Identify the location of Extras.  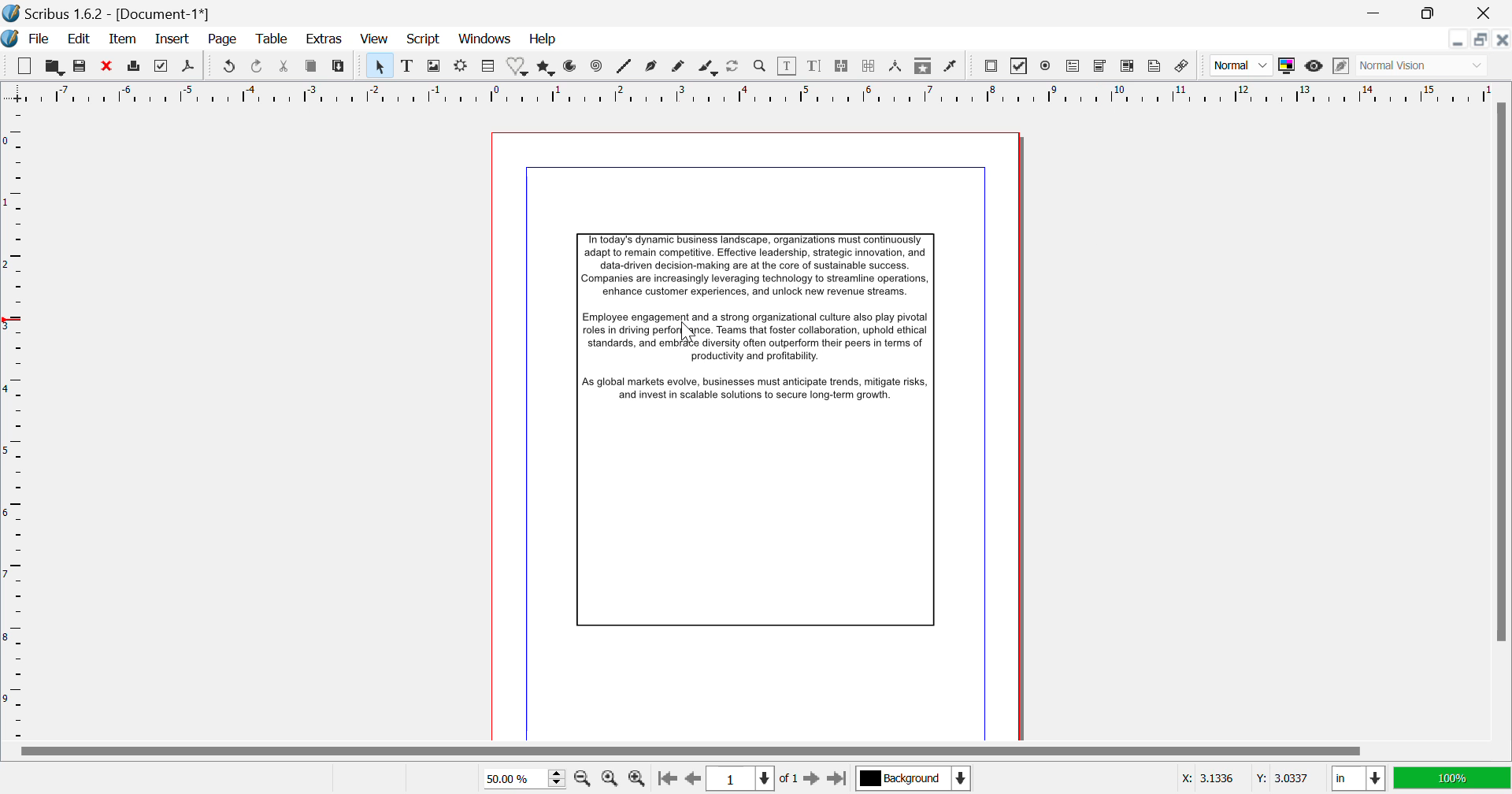
(327, 39).